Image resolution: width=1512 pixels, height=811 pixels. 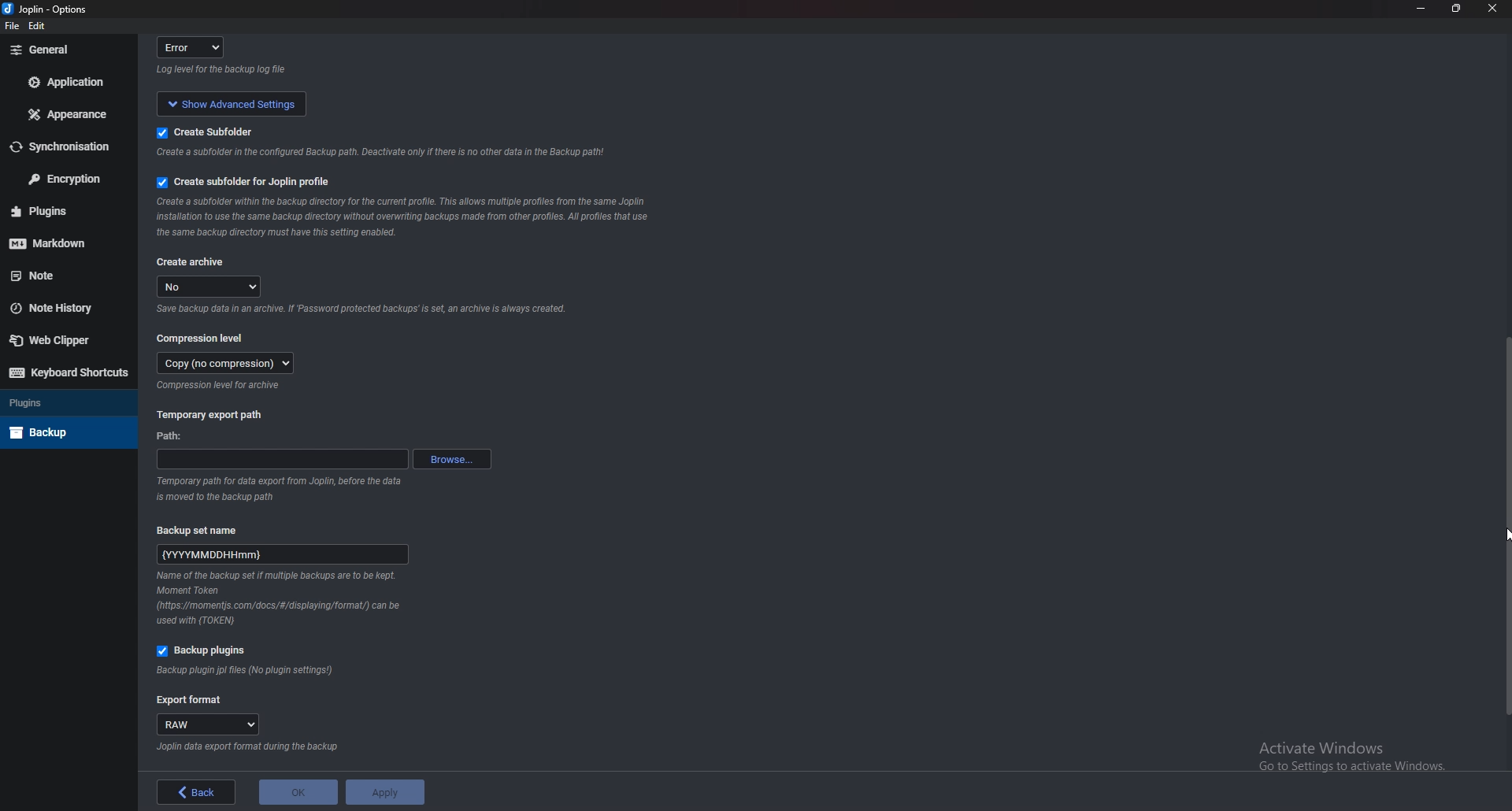 What do you see at coordinates (13, 27) in the screenshot?
I see `file` at bounding box center [13, 27].